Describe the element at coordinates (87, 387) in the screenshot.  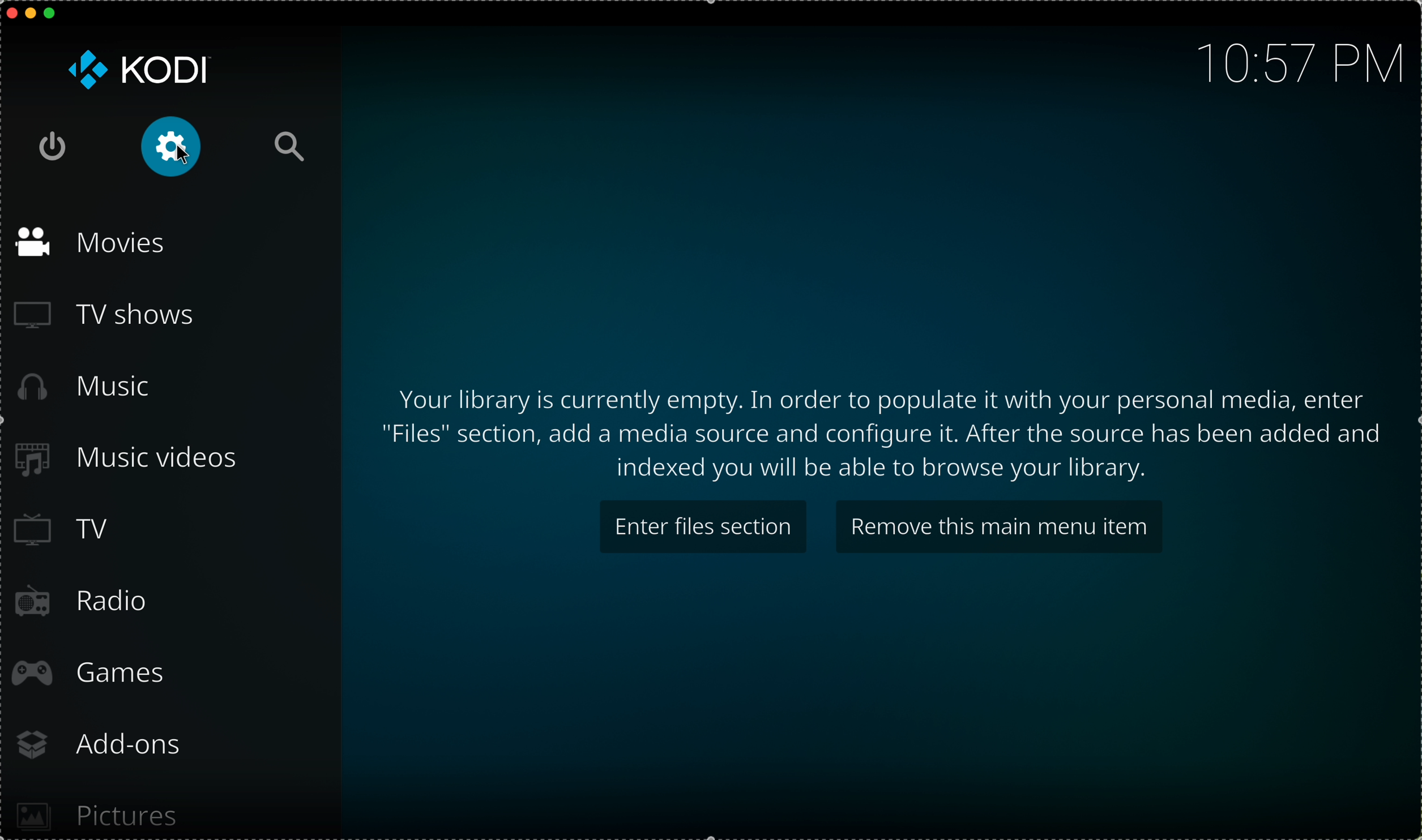
I see `music` at that location.